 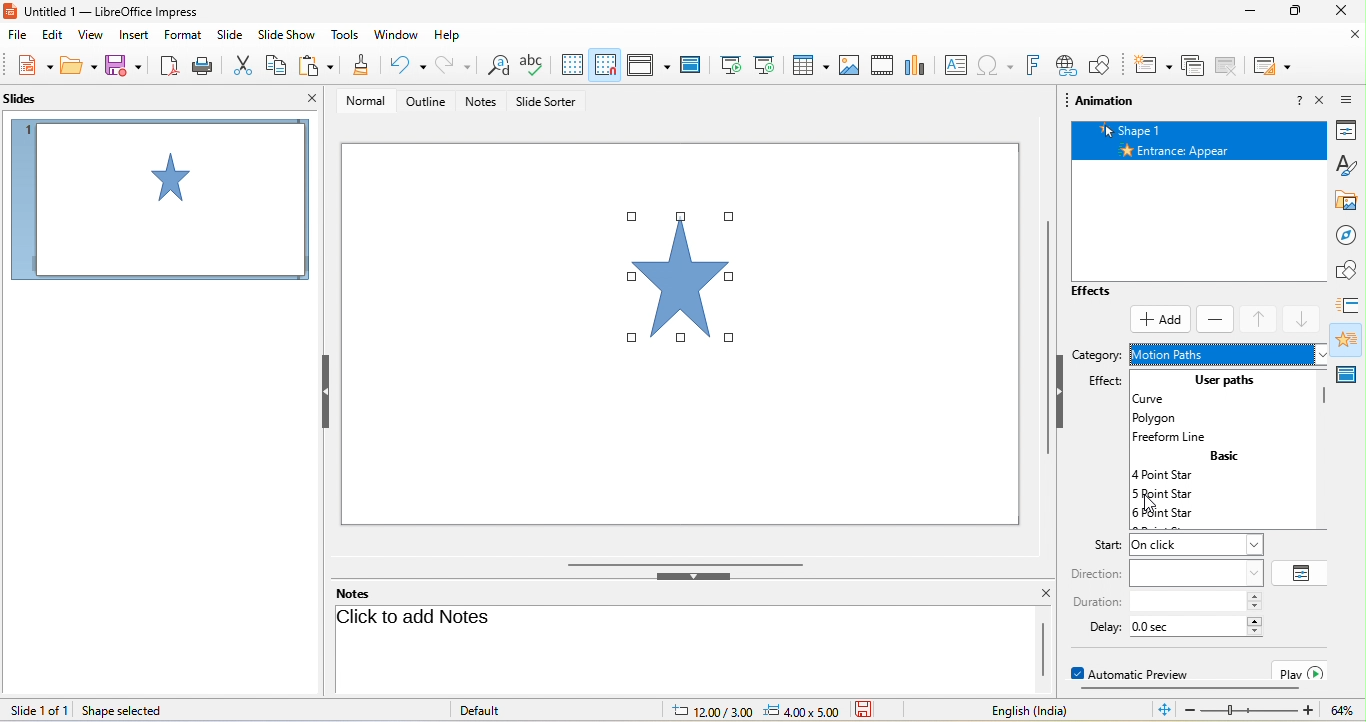 What do you see at coordinates (1189, 626) in the screenshot?
I see `input delay` at bounding box center [1189, 626].